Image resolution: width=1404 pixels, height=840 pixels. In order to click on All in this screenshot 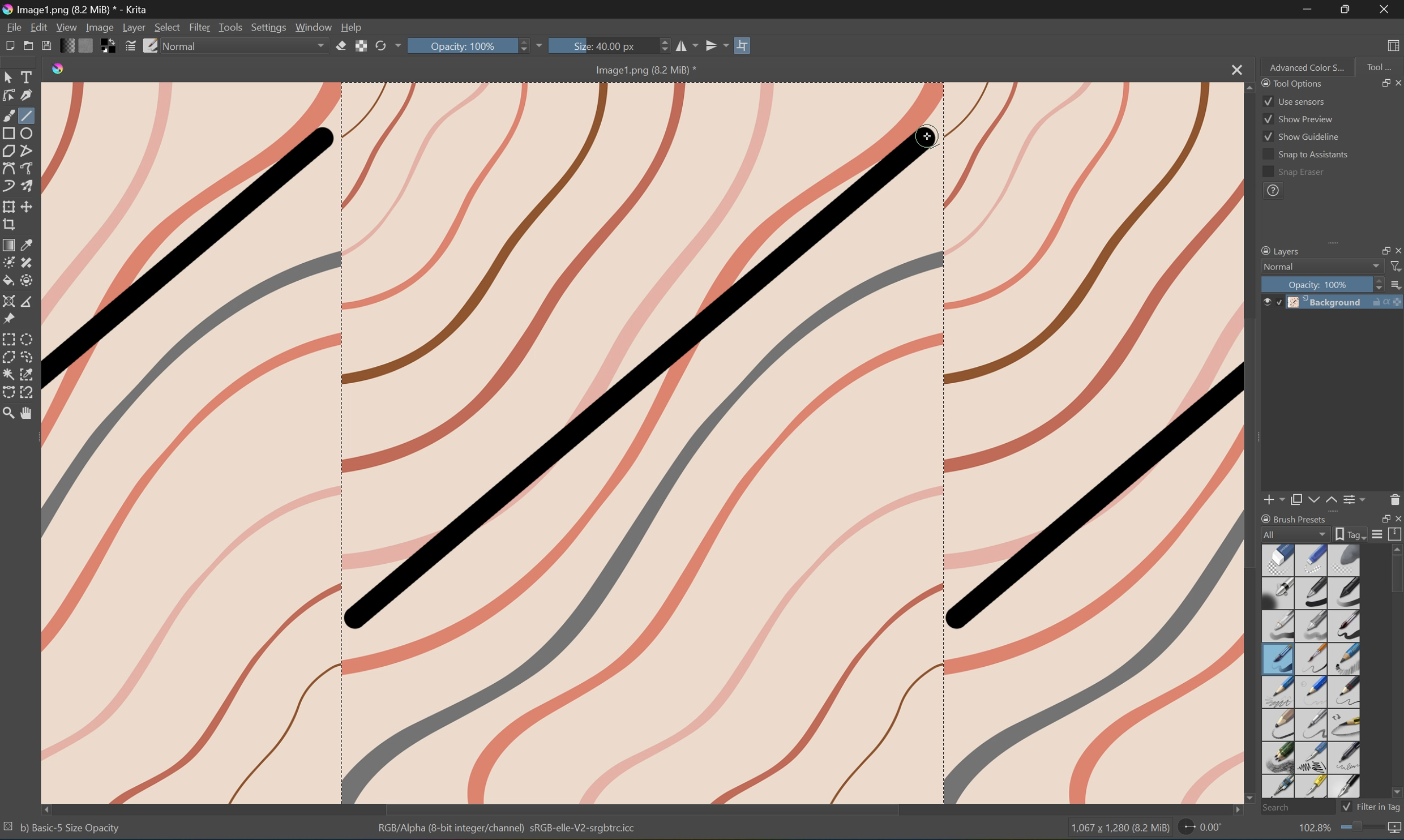, I will do `click(1295, 533)`.